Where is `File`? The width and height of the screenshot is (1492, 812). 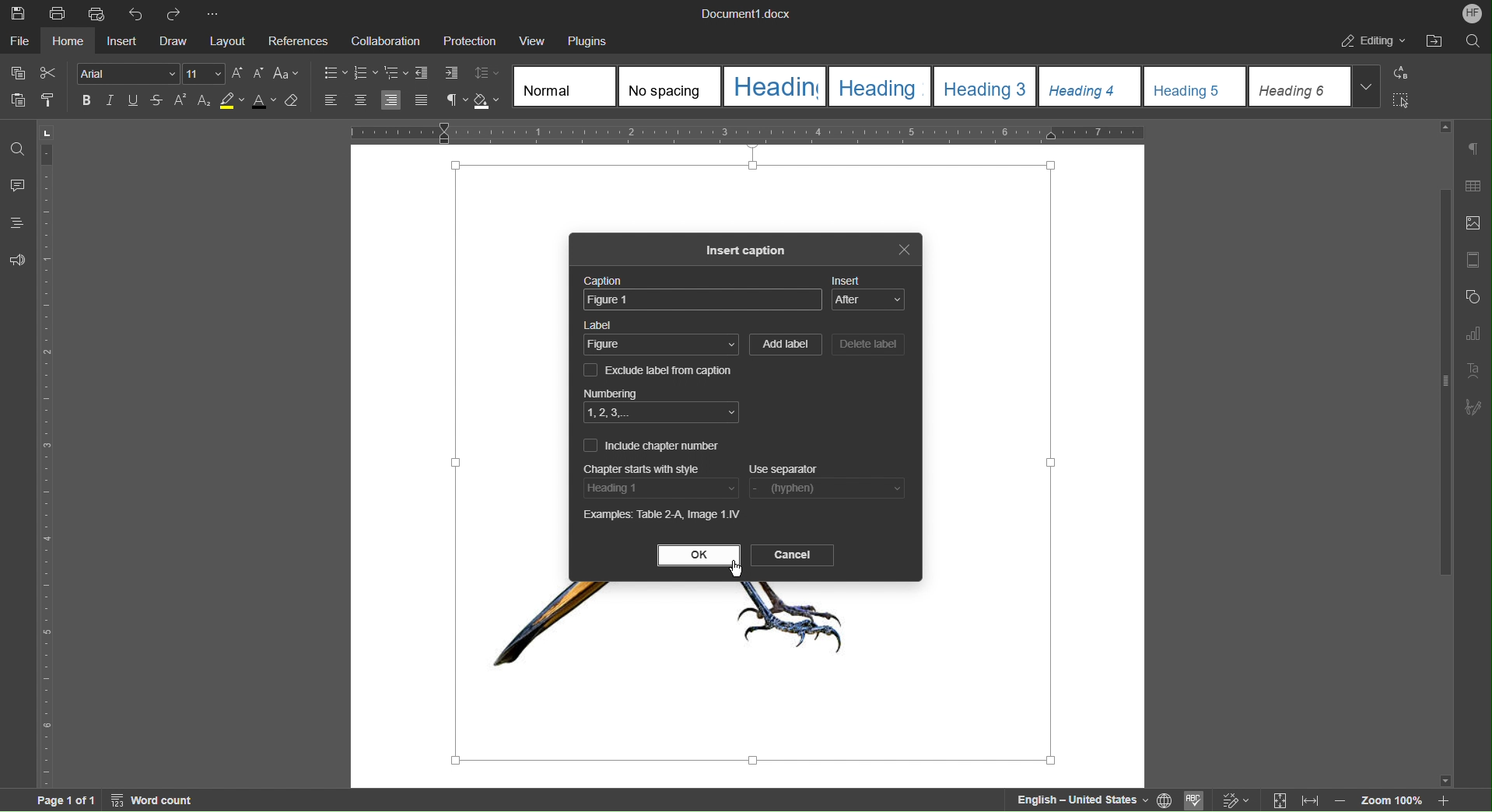
File is located at coordinates (22, 43).